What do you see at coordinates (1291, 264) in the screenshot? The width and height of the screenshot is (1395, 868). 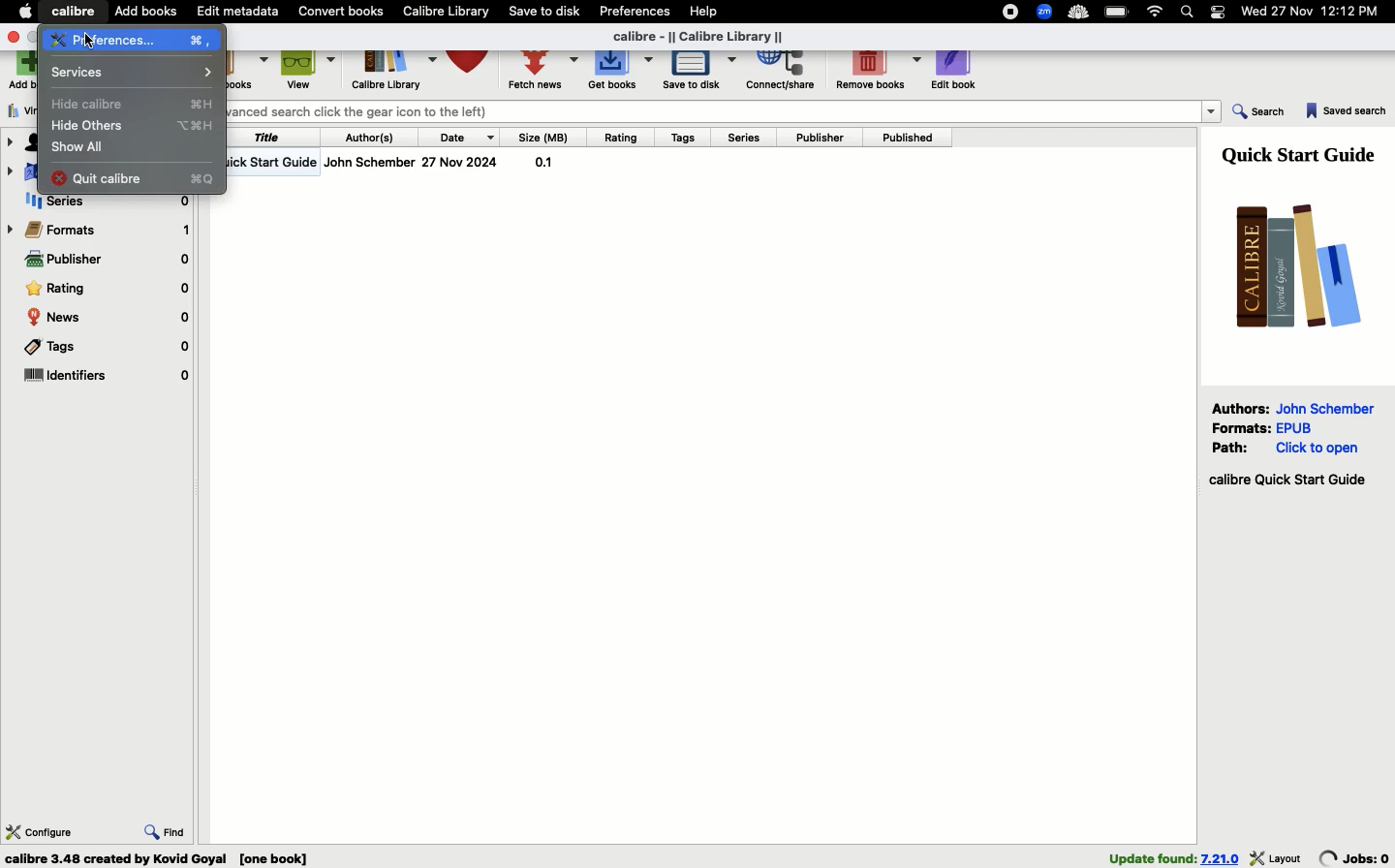 I see `Logo` at bounding box center [1291, 264].